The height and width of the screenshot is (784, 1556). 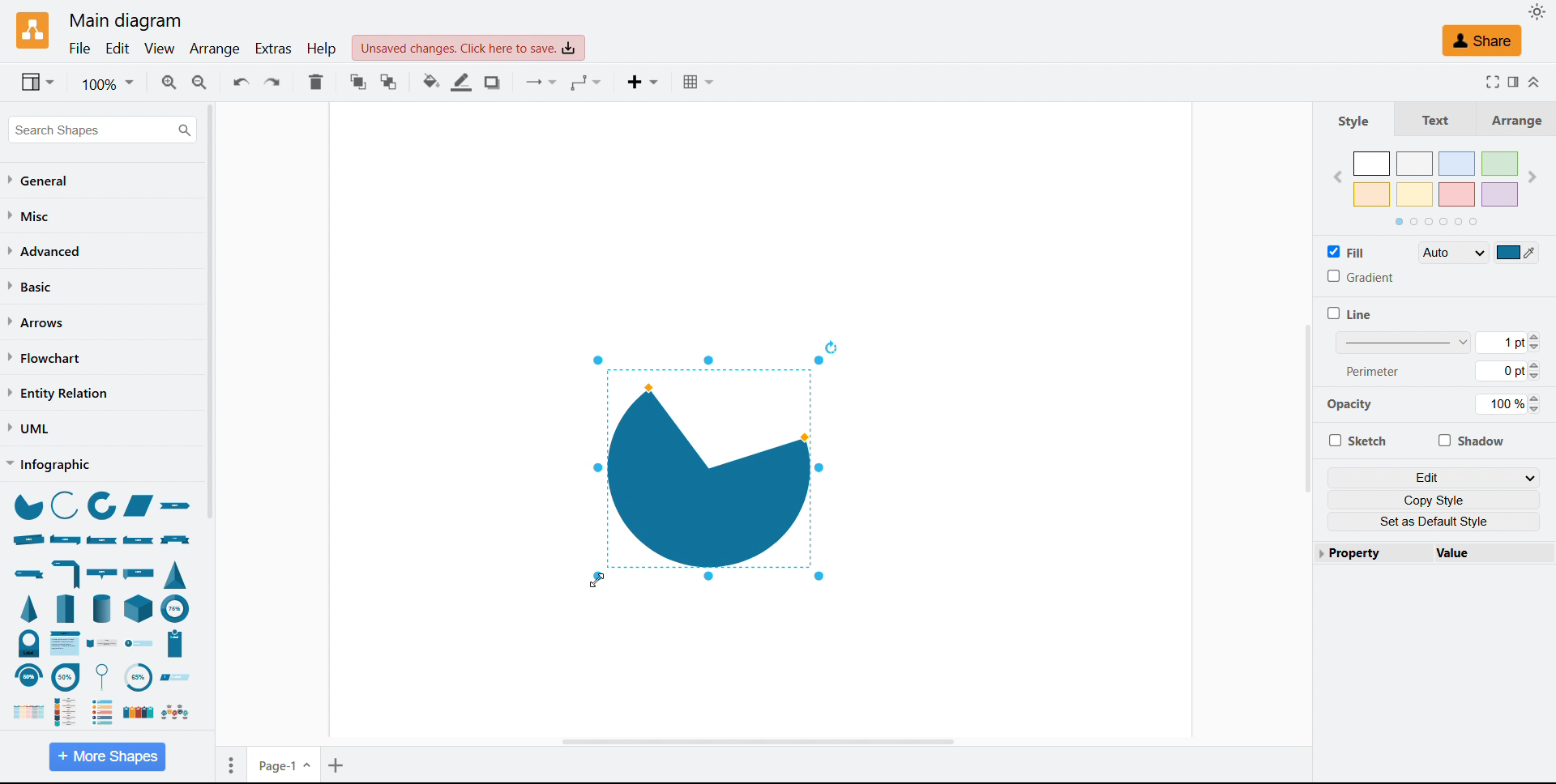 I want to click on roadmap vertical, so click(x=103, y=645).